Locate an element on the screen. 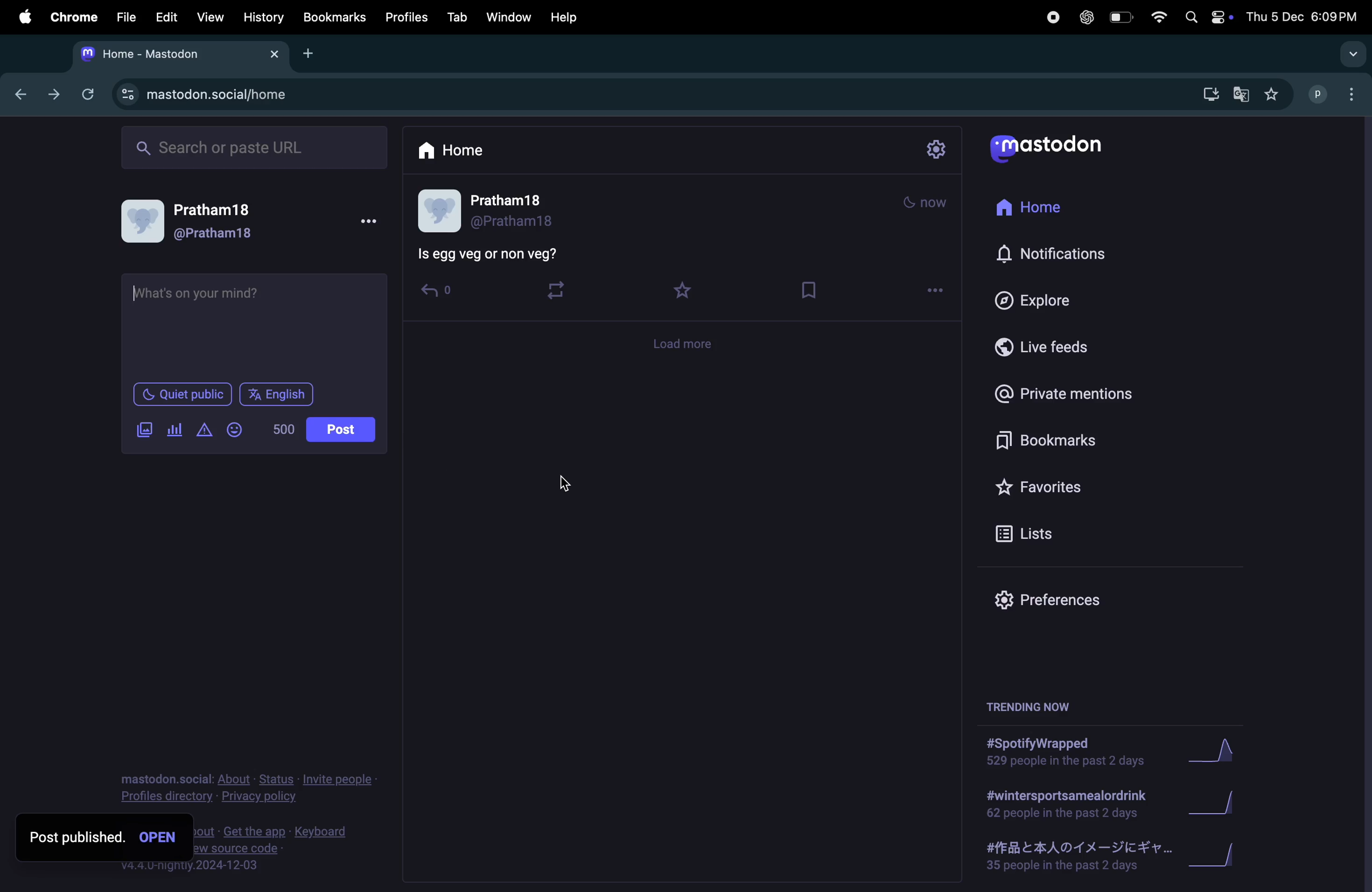 This screenshot has height=892, width=1372. post published open is located at coordinates (104, 838).